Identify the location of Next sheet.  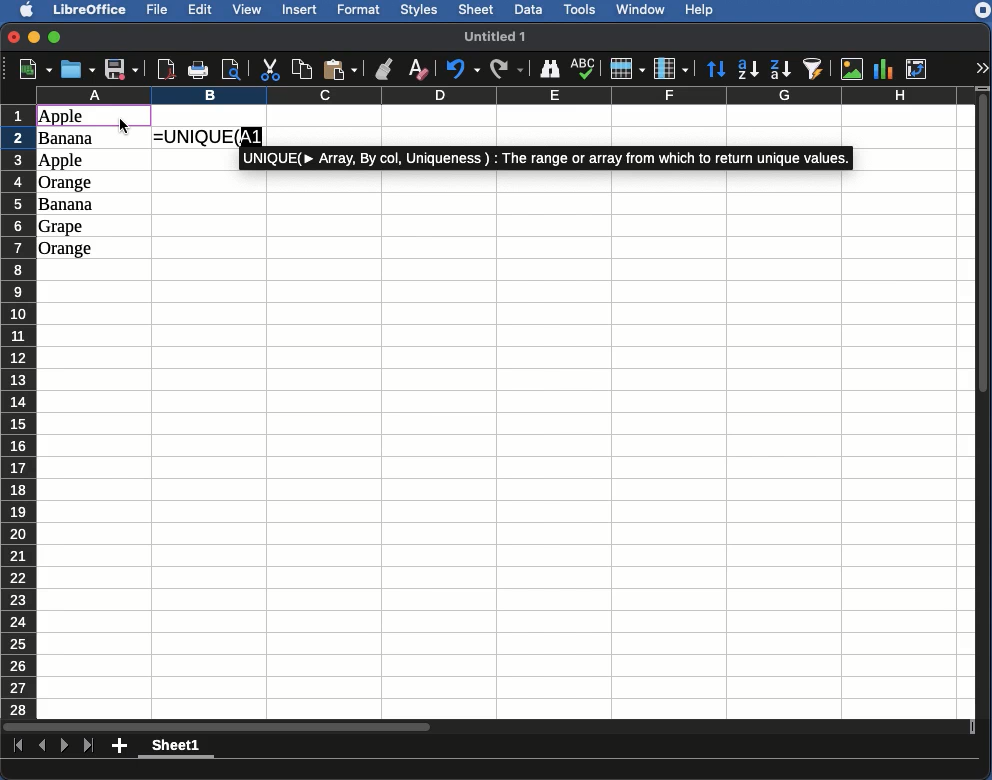
(65, 748).